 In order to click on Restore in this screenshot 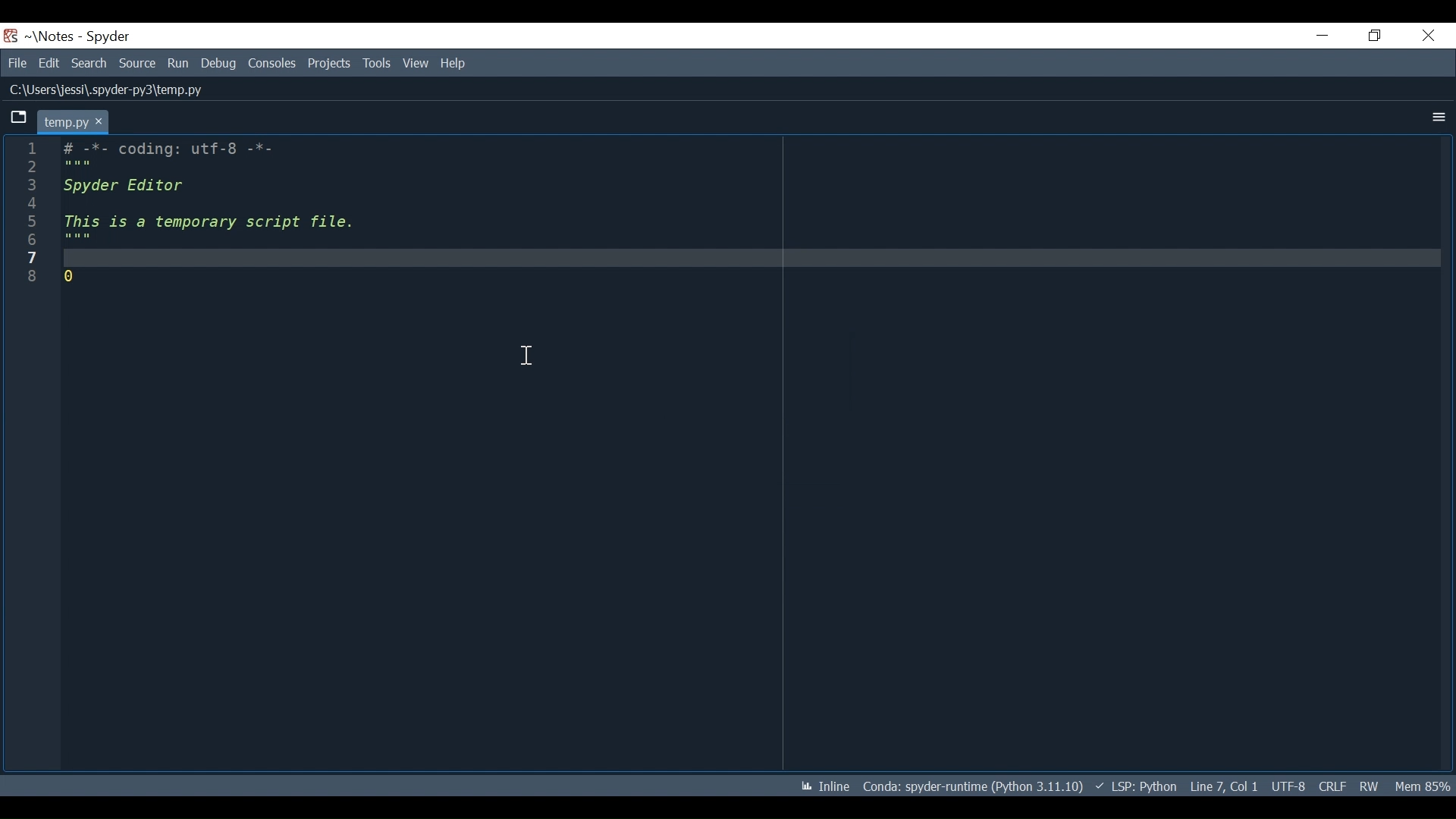, I will do `click(1374, 35)`.